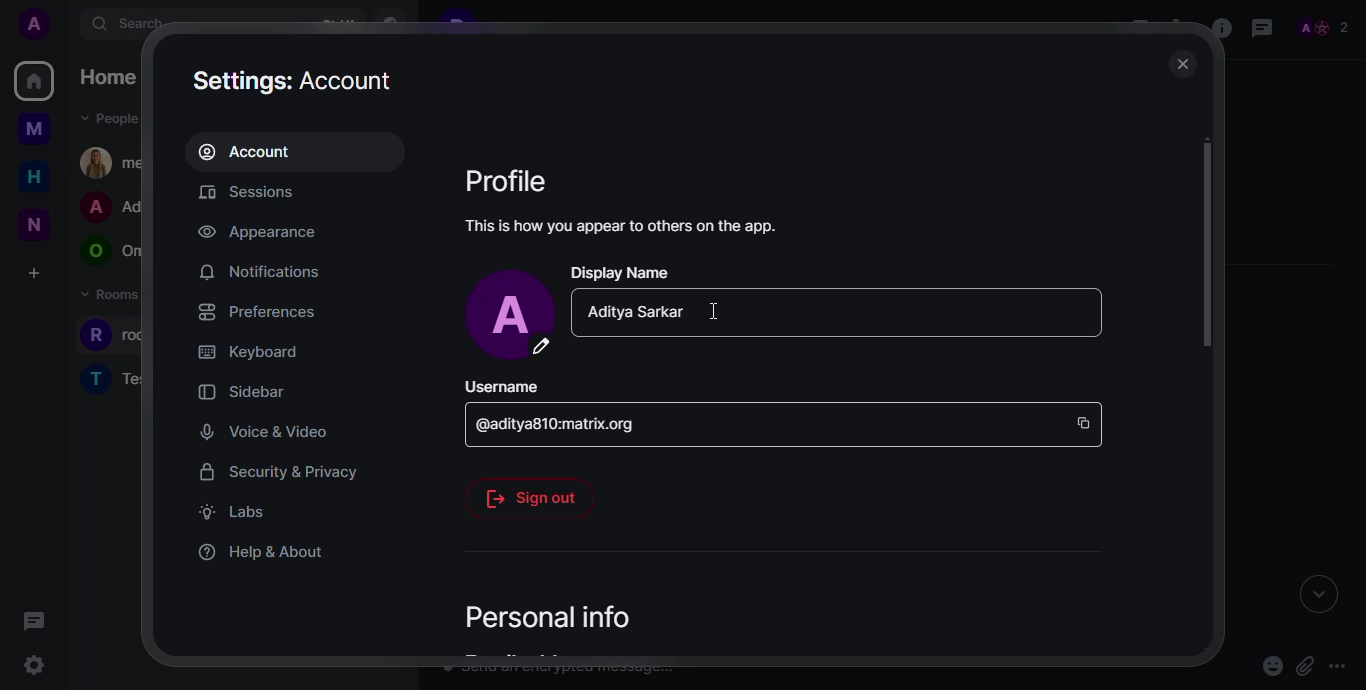  What do you see at coordinates (259, 232) in the screenshot?
I see `appearance` at bounding box center [259, 232].